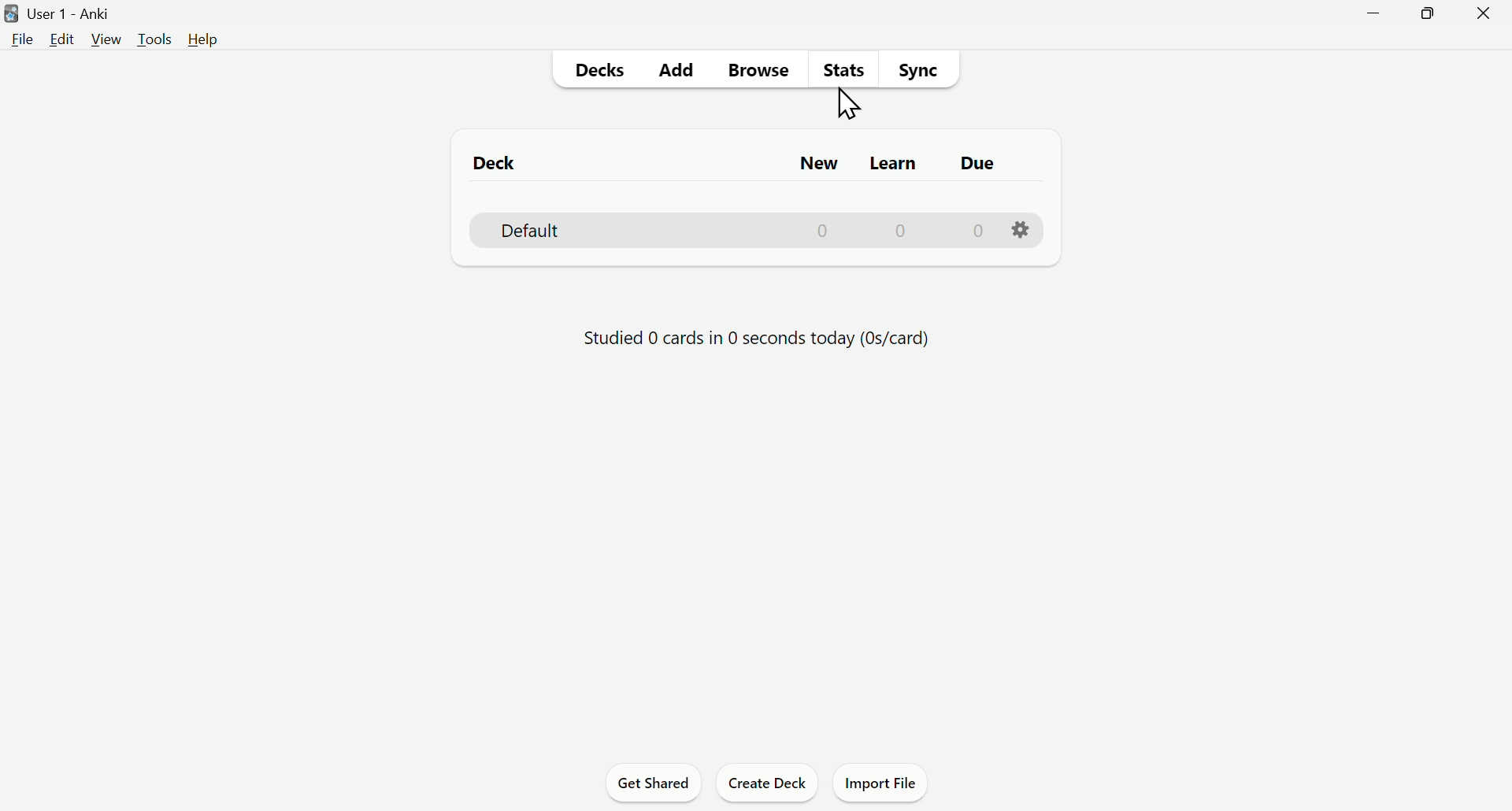 Image resolution: width=1512 pixels, height=811 pixels. I want to click on Maximize, so click(1437, 20).